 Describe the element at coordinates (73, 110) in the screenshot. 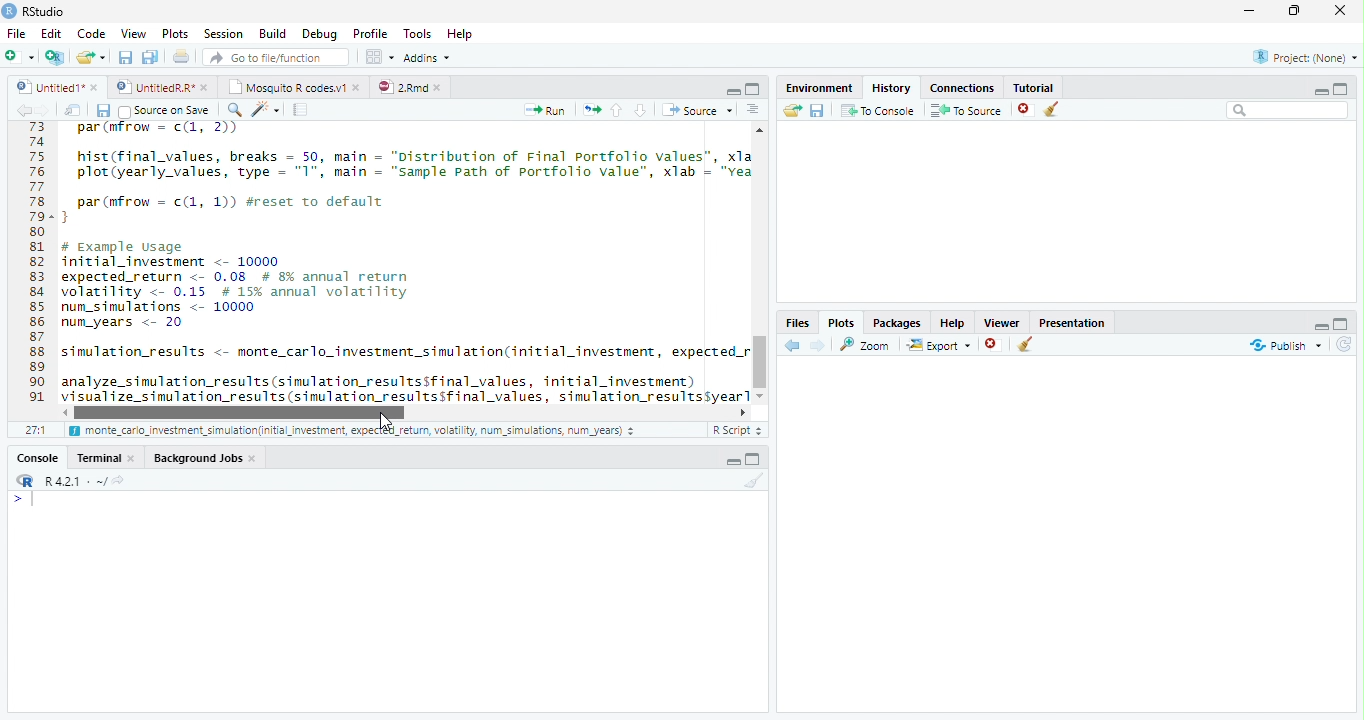

I see `Open in new window` at that location.